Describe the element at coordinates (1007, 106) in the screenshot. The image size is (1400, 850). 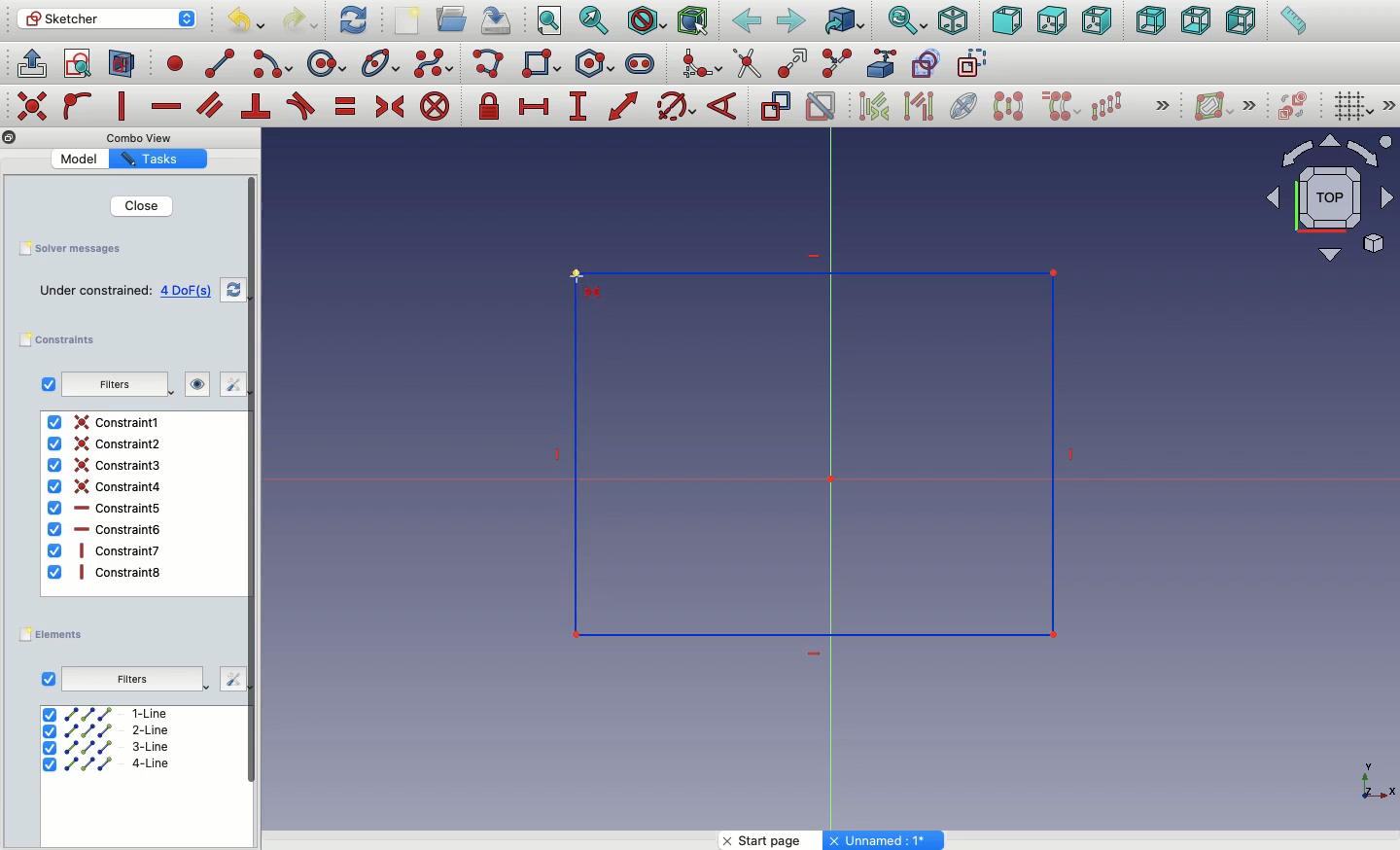
I see `Symmetry` at that location.